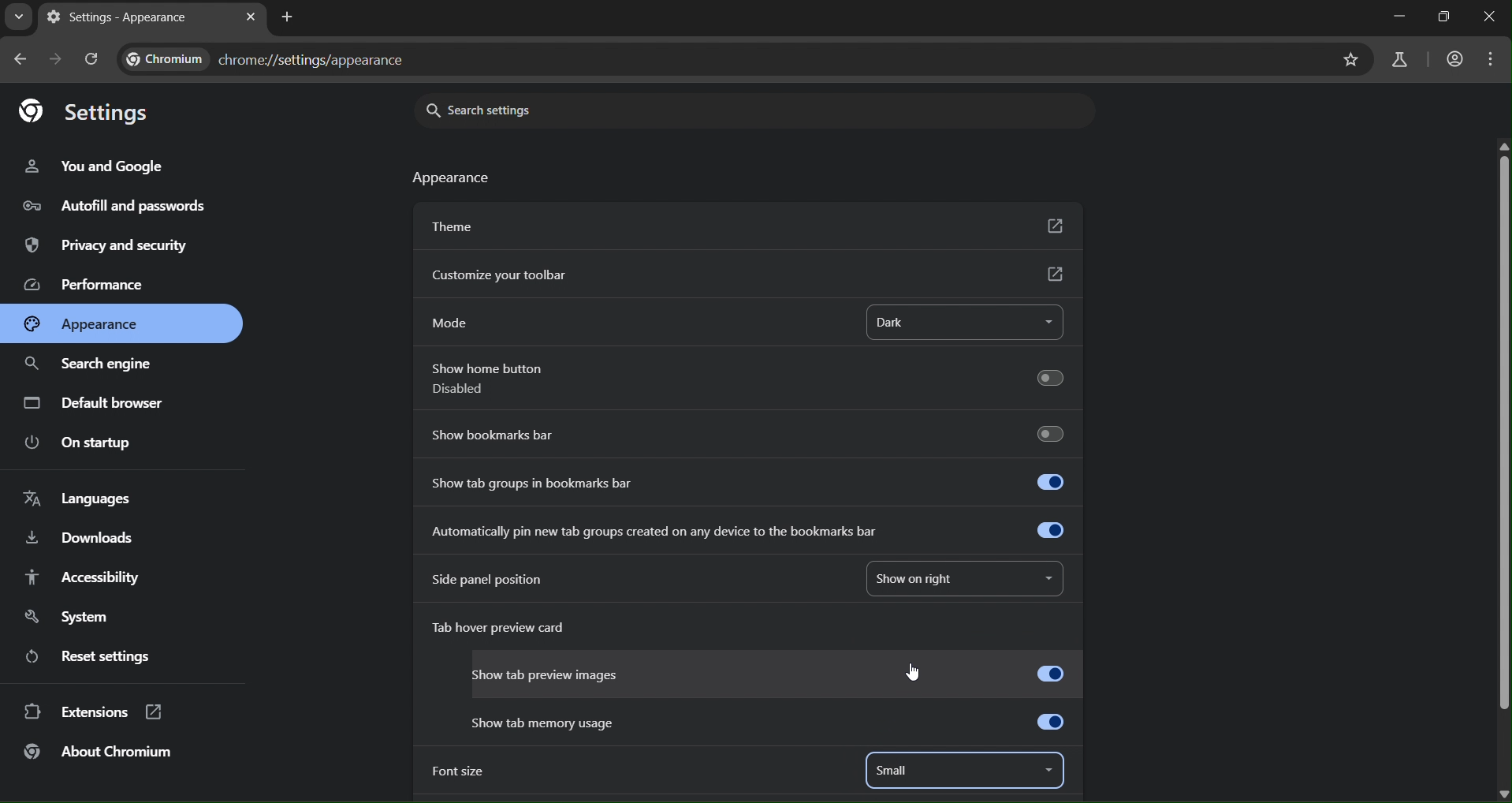  What do you see at coordinates (78, 575) in the screenshot?
I see `accessibility` at bounding box center [78, 575].